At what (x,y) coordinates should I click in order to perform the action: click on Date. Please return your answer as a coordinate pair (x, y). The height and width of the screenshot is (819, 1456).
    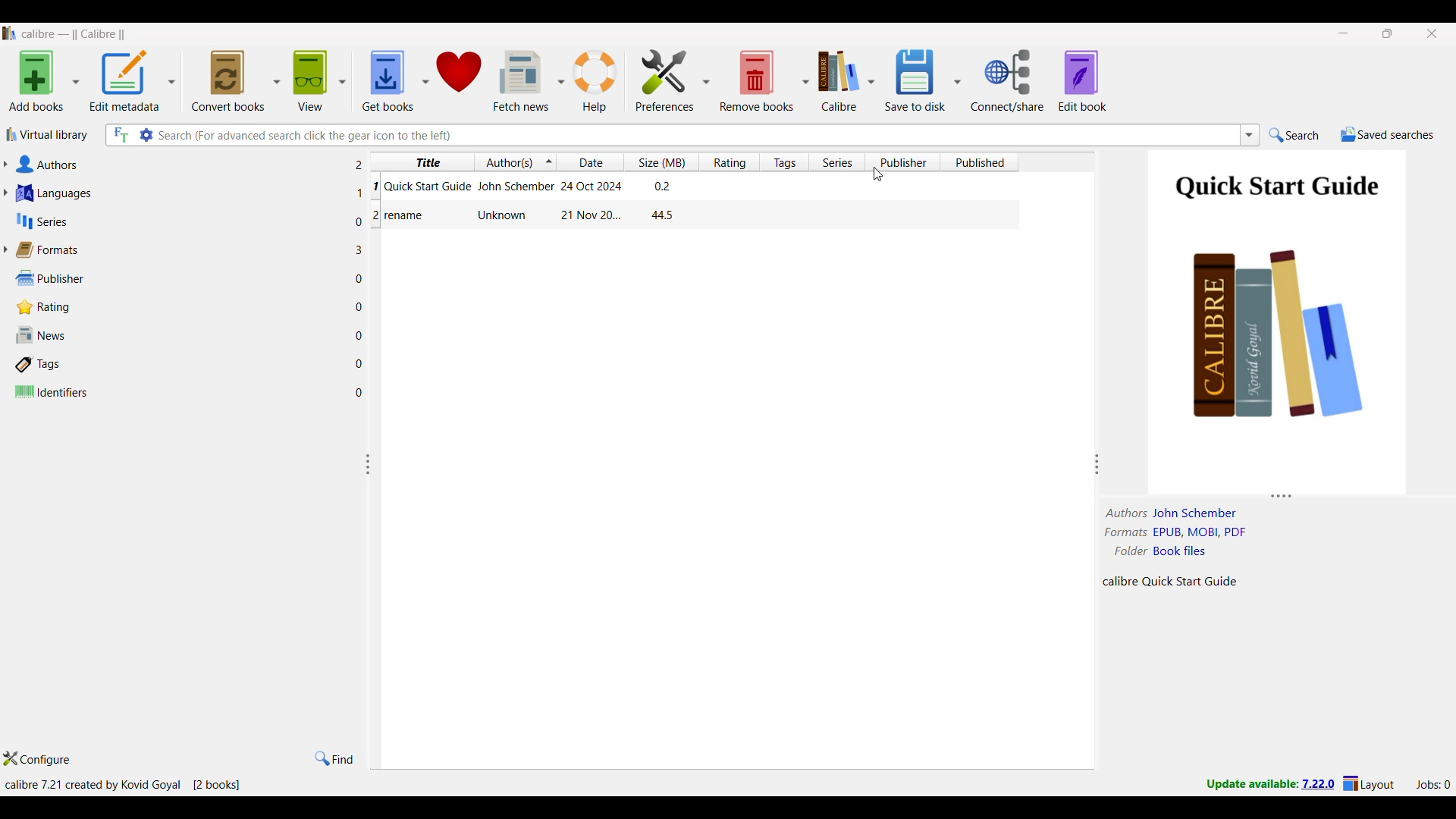
    Looking at the image, I should click on (588, 215).